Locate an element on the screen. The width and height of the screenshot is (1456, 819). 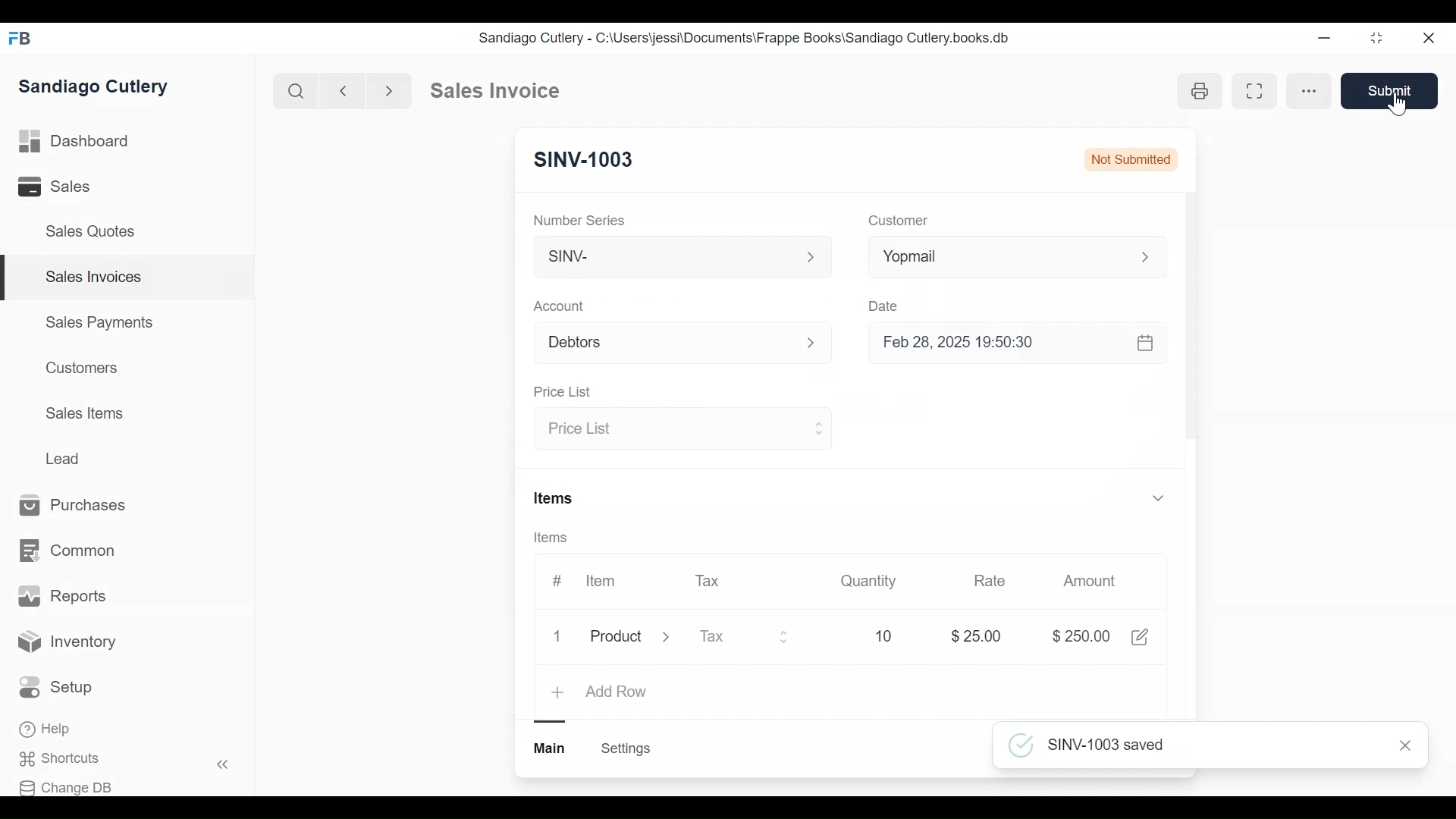
Common is located at coordinates (70, 551).